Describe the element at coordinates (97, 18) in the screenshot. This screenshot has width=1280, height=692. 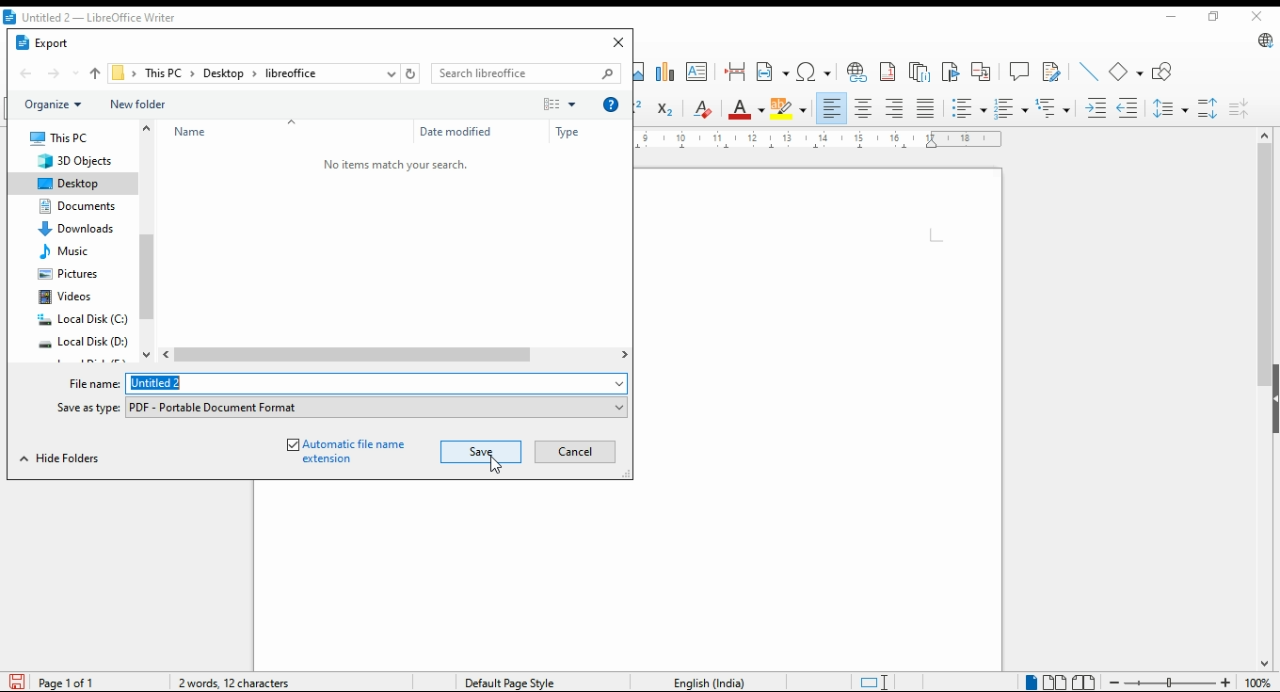
I see `icon and file name` at that location.